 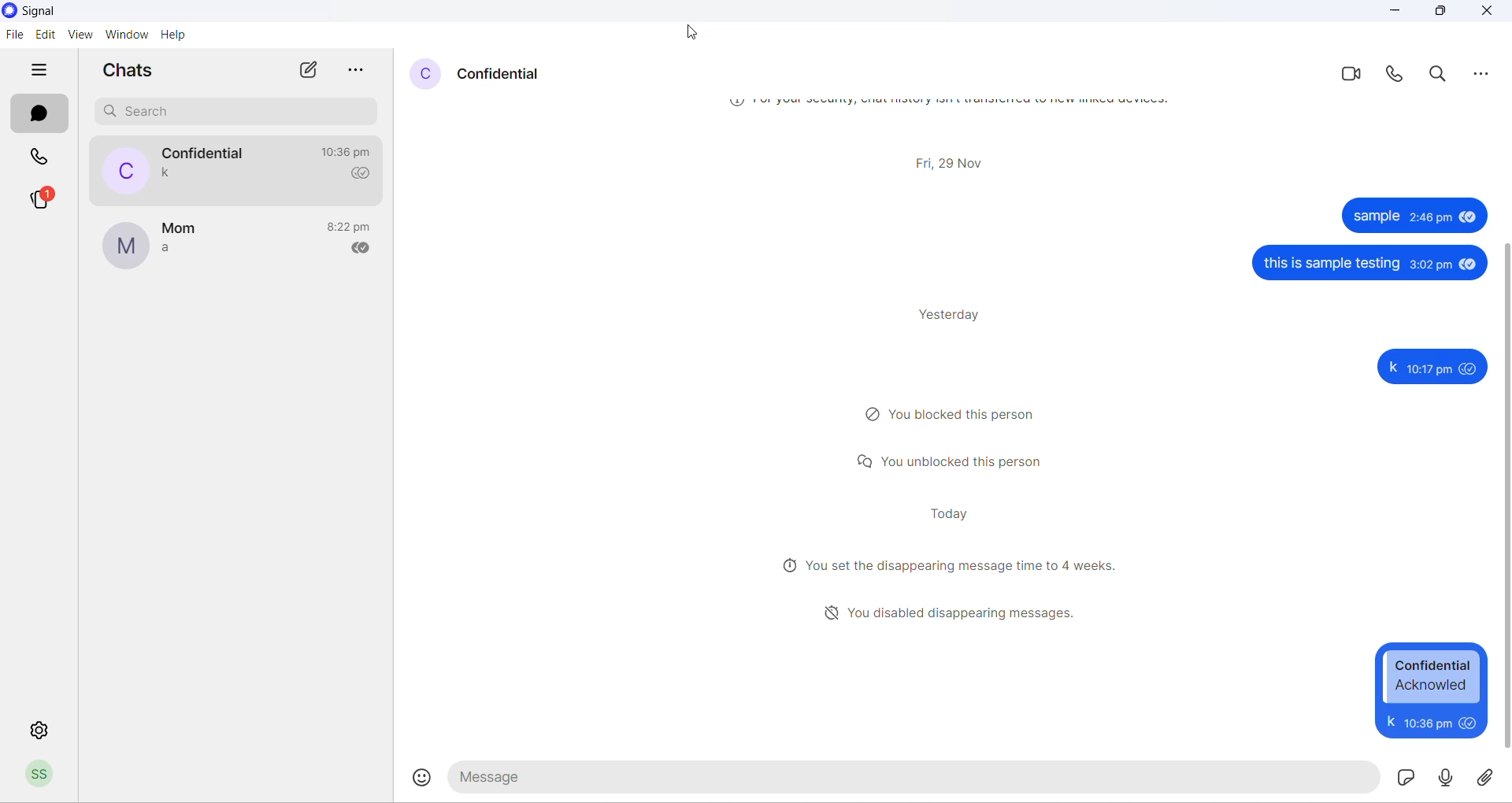 I want to click on chats, so click(x=39, y=113).